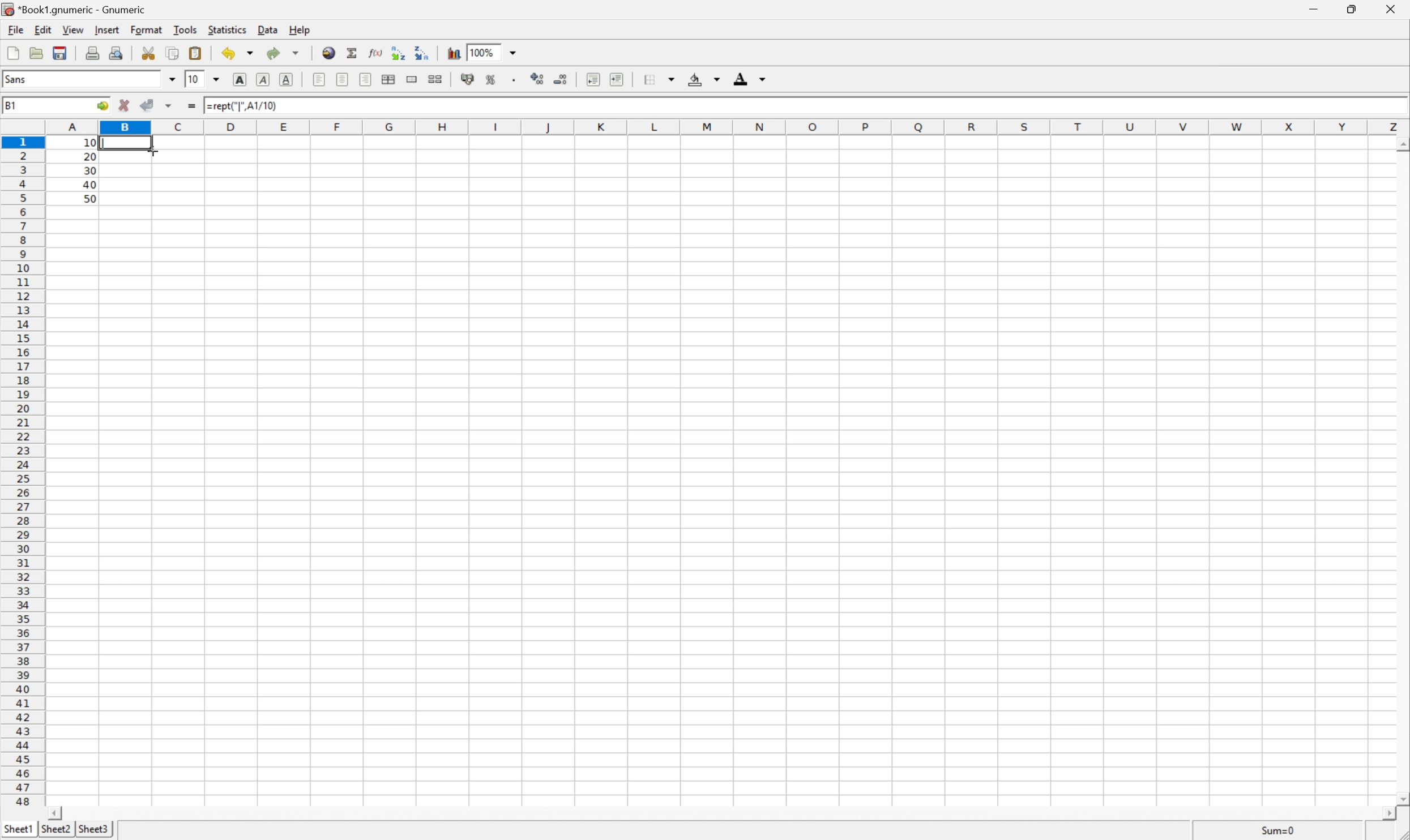 This screenshot has height=840, width=1410. What do you see at coordinates (60, 54) in the screenshot?
I see `Save current workbook` at bounding box center [60, 54].